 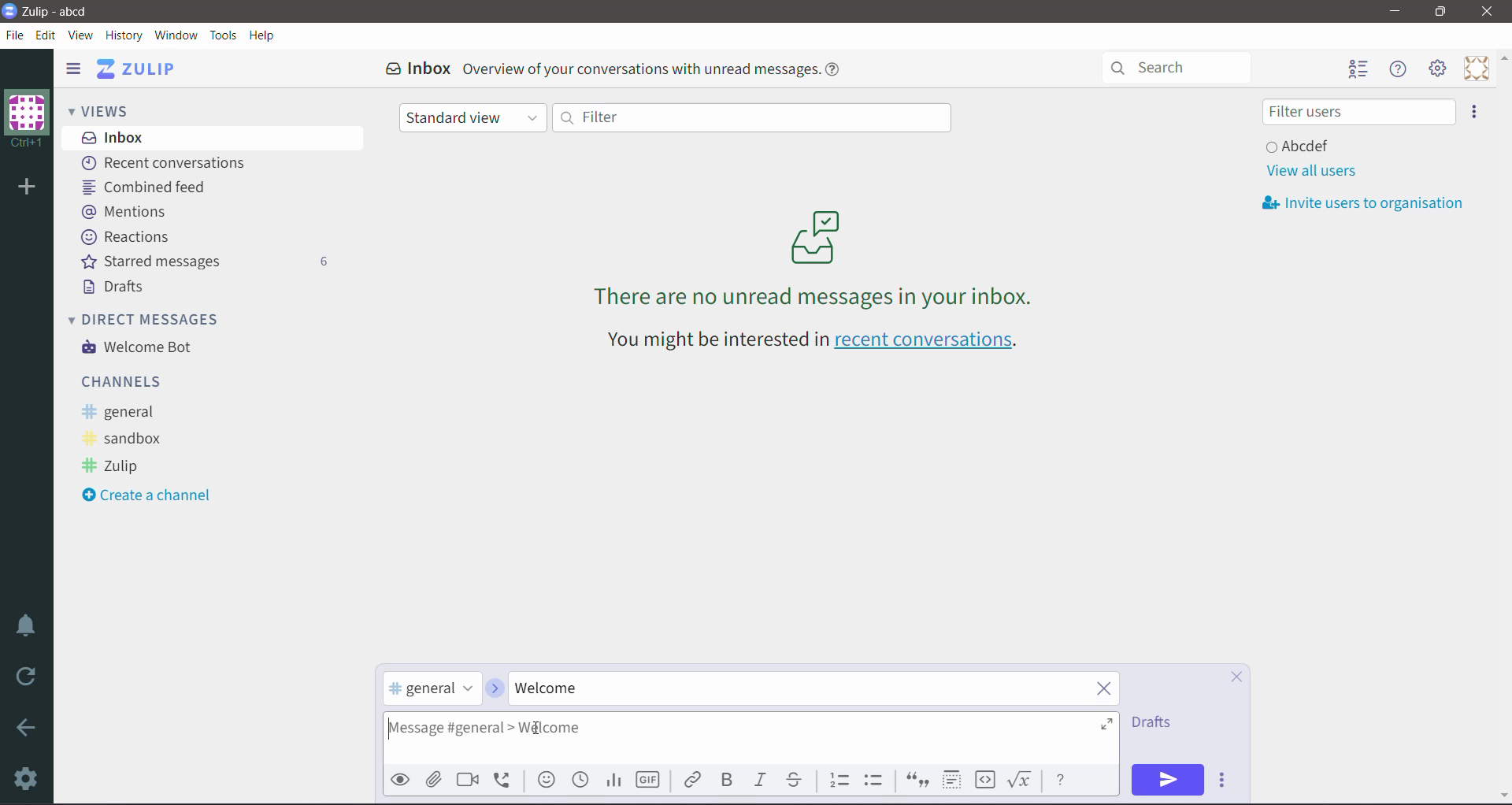 What do you see at coordinates (125, 380) in the screenshot?
I see `Channels` at bounding box center [125, 380].